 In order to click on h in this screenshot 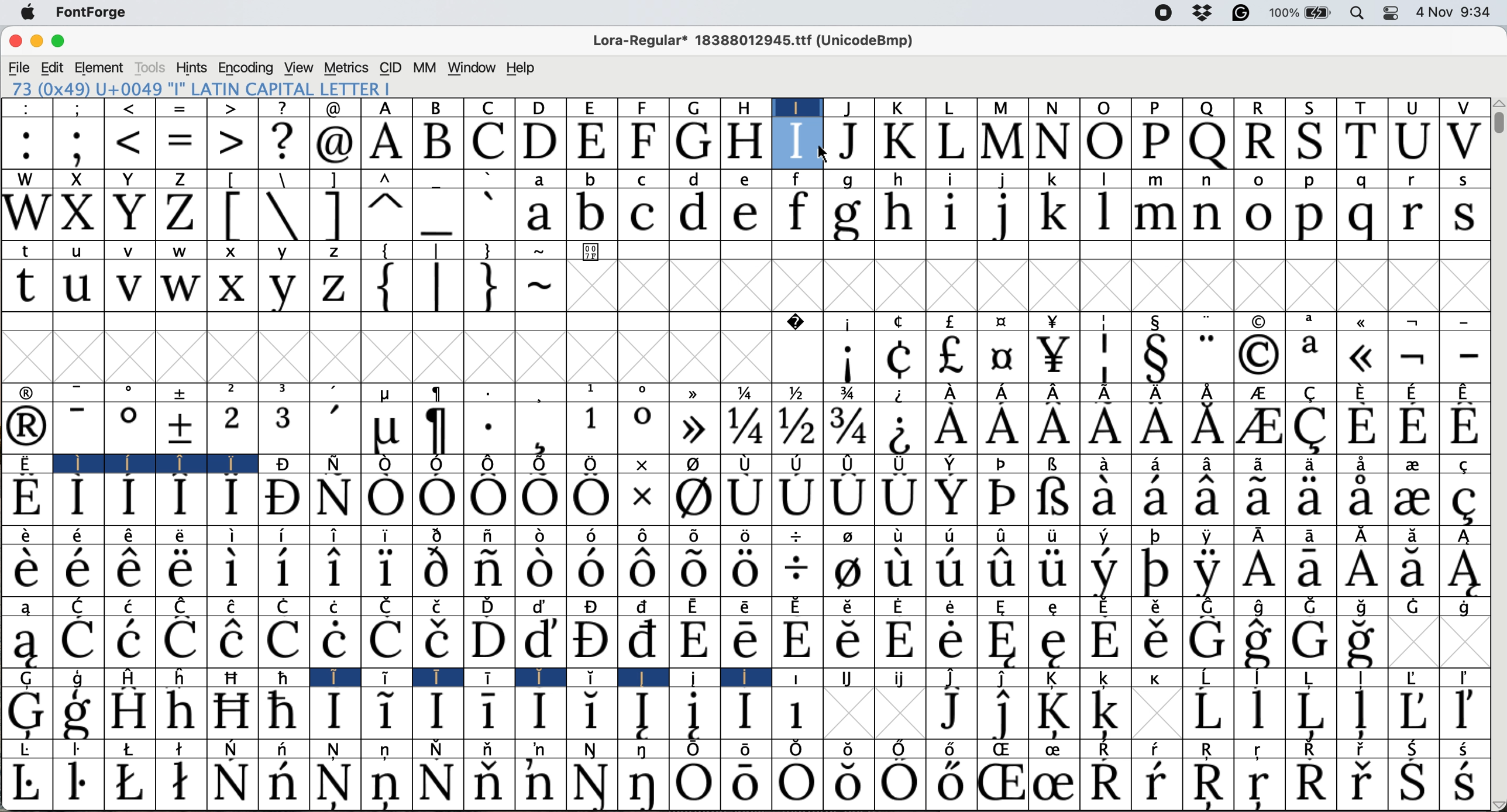, I will do `click(904, 180)`.